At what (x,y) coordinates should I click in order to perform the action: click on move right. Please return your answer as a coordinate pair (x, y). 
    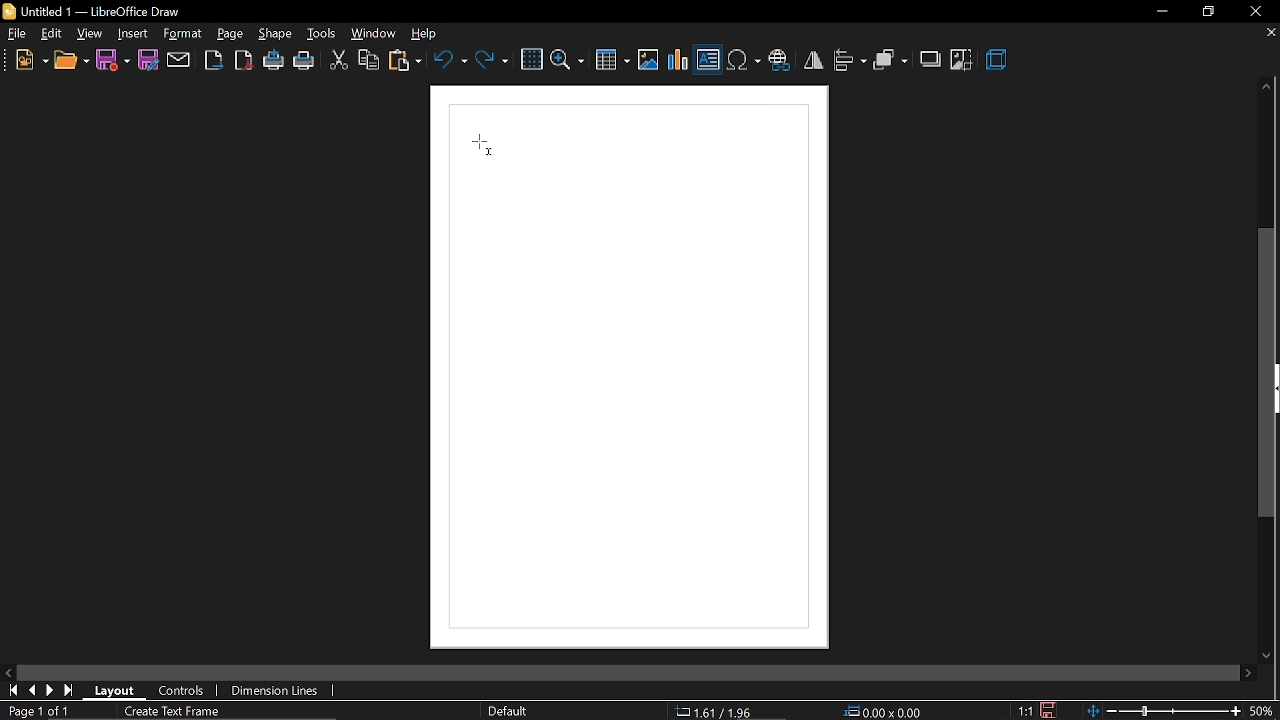
    Looking at the image, I should click on (1248, 672).